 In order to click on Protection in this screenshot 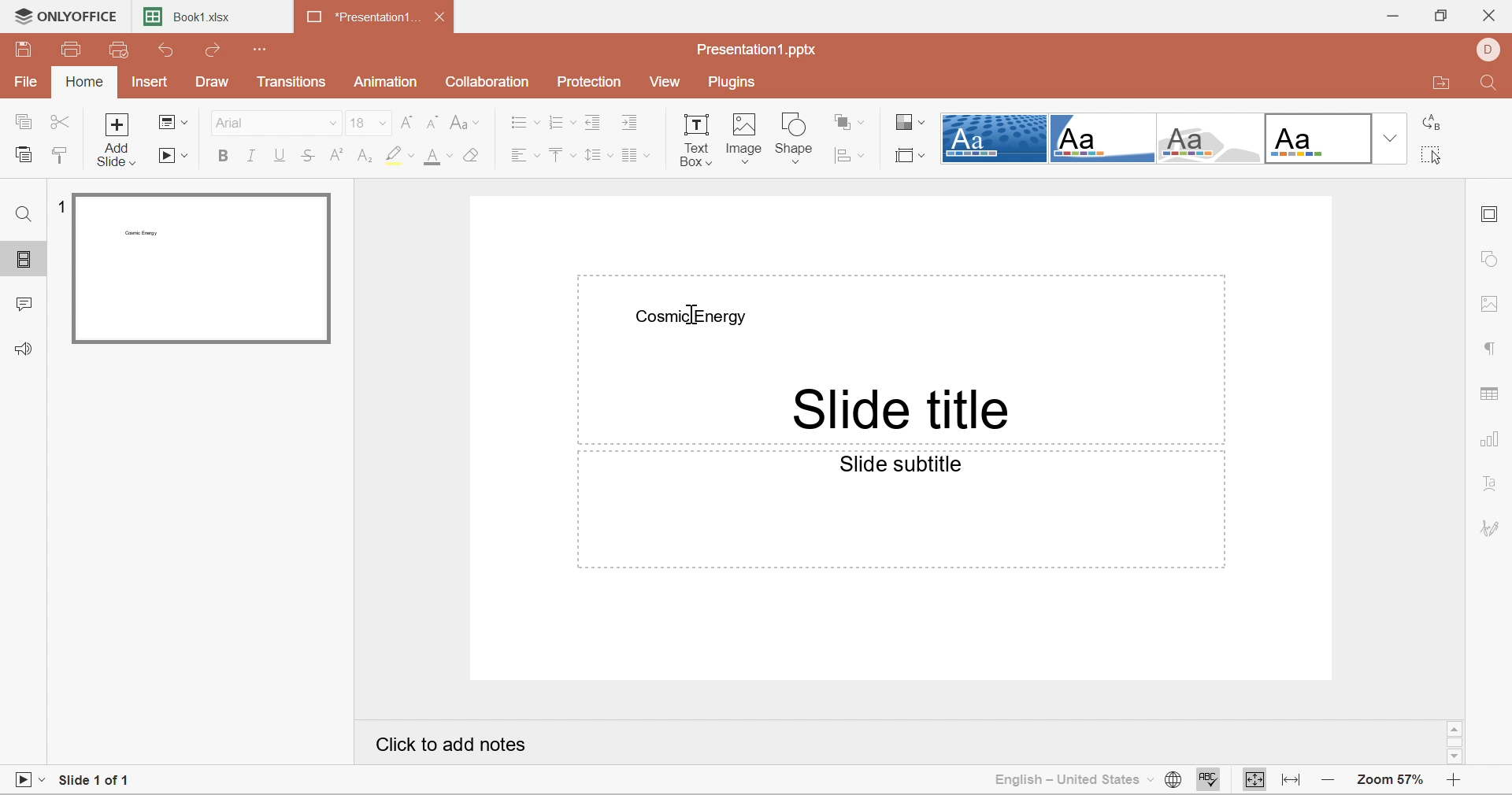, I will do `click(590, 80)`.